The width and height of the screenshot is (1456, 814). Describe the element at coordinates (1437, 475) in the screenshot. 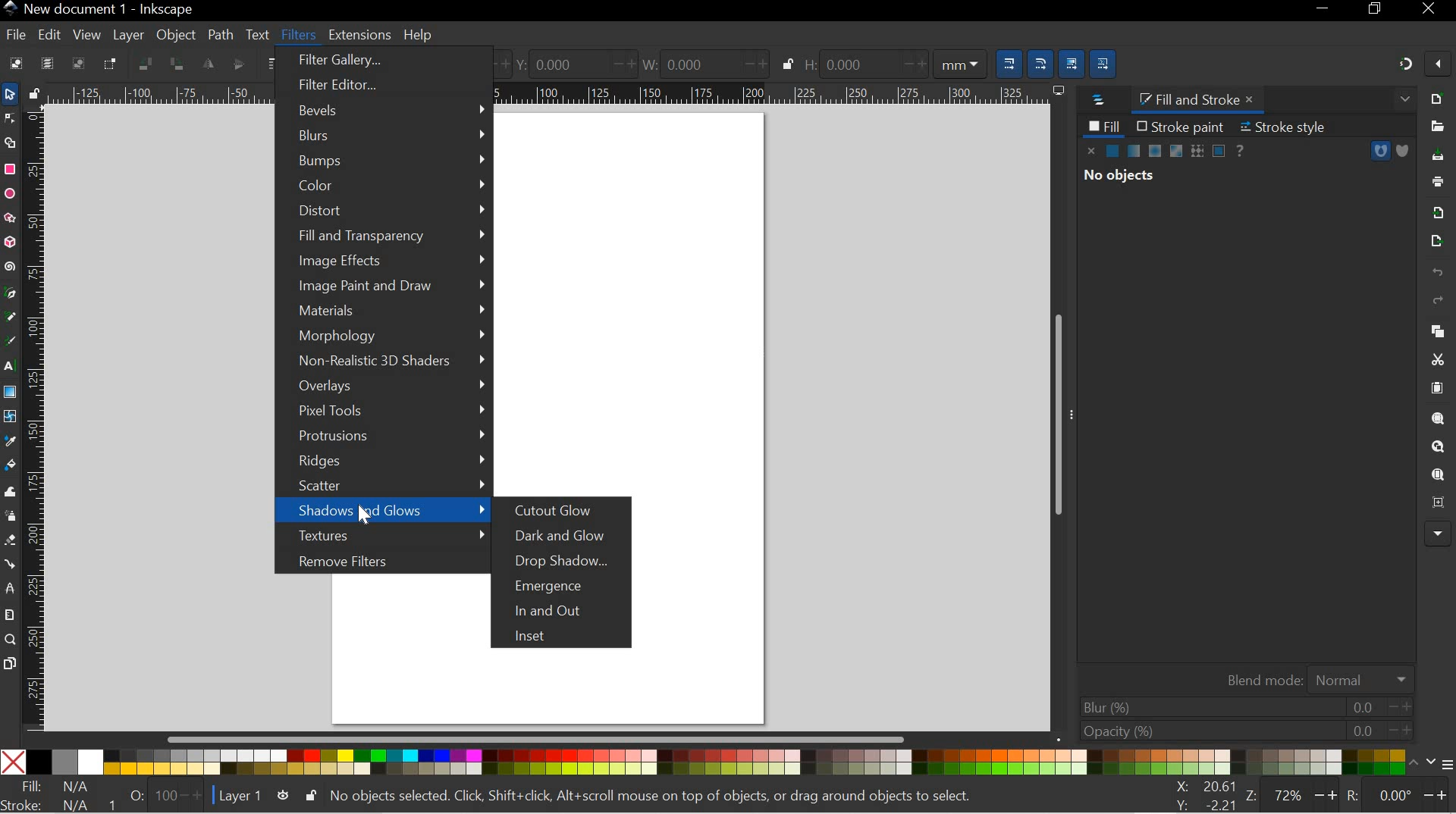

I see `ZOOM PAGE` at that location.